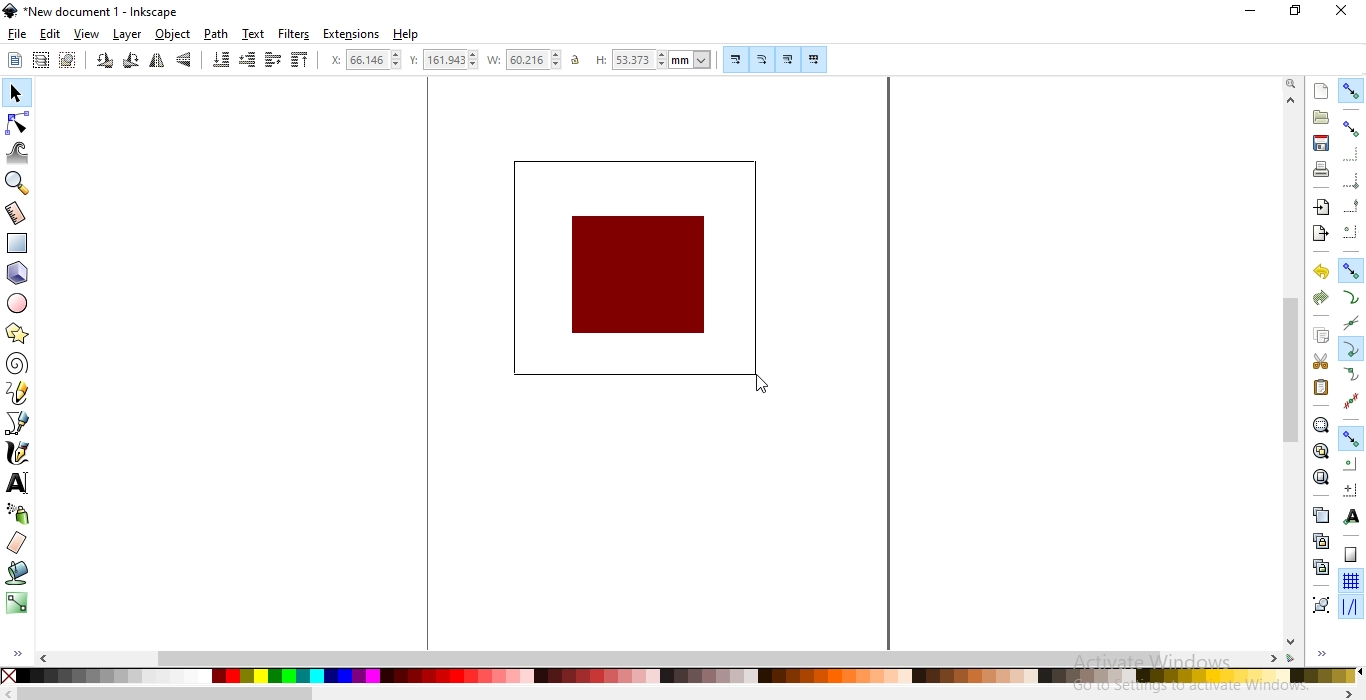 This screenshot has height=700, width=1366. What do you see at coordinates (414, 60) in the screenshot?
I see `vertical coordinate of selection` at bounding box center [414, 60].